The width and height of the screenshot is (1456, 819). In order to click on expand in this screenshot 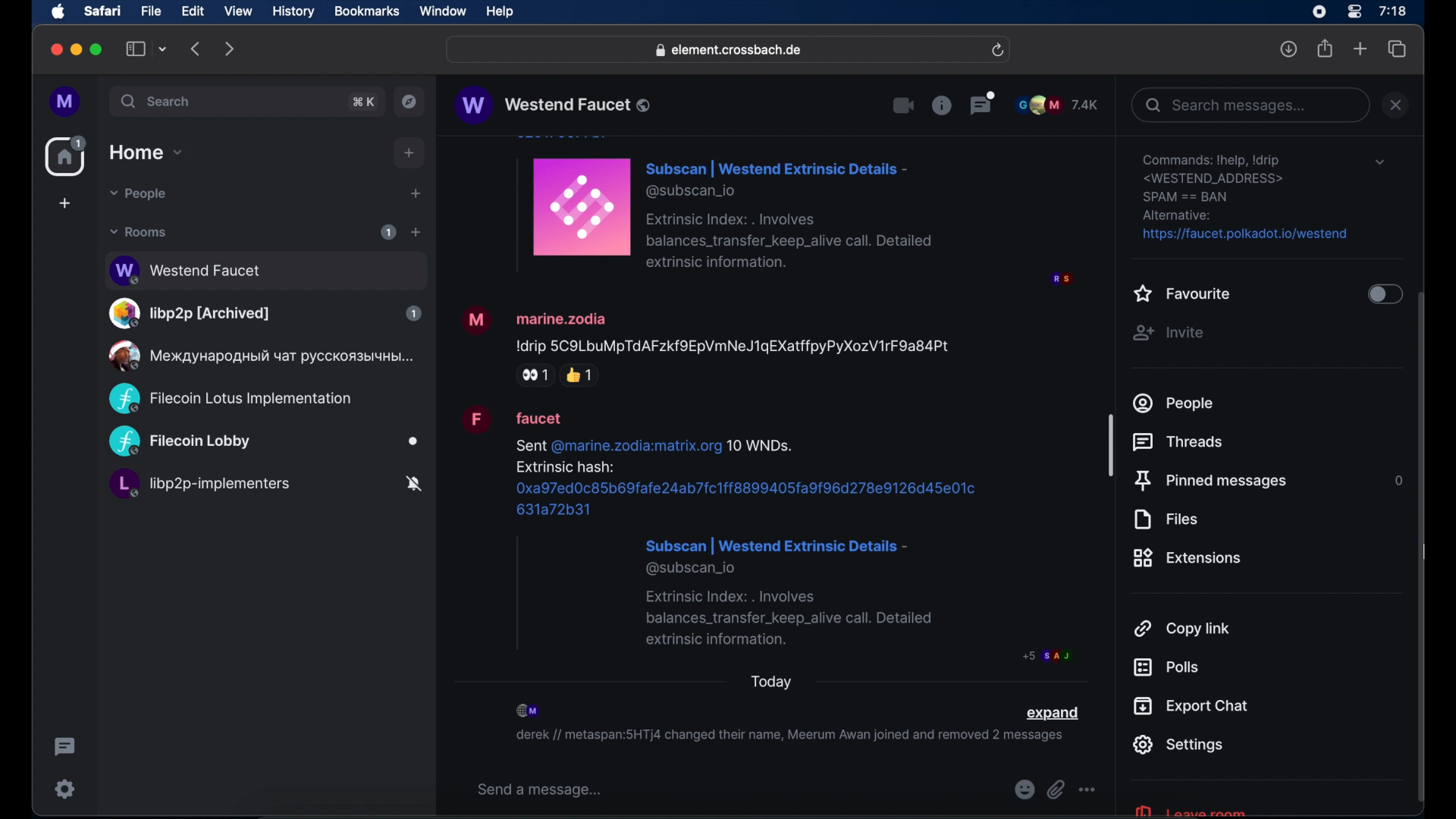, I will do `click(1052, 714)`.